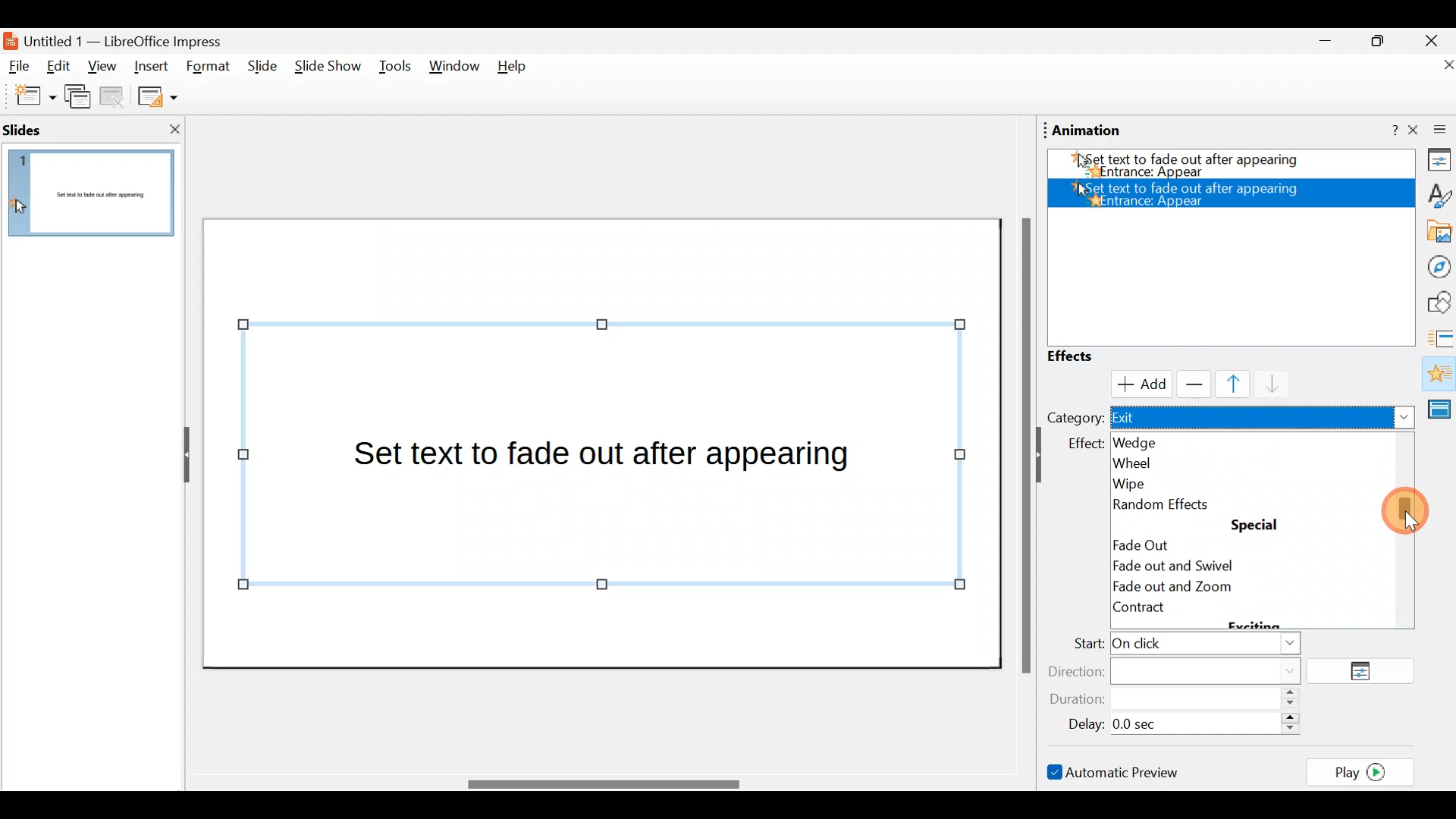 The height and width of the screenshot is (819, 1456). I want to click on Navigator, so click(1435, 265).